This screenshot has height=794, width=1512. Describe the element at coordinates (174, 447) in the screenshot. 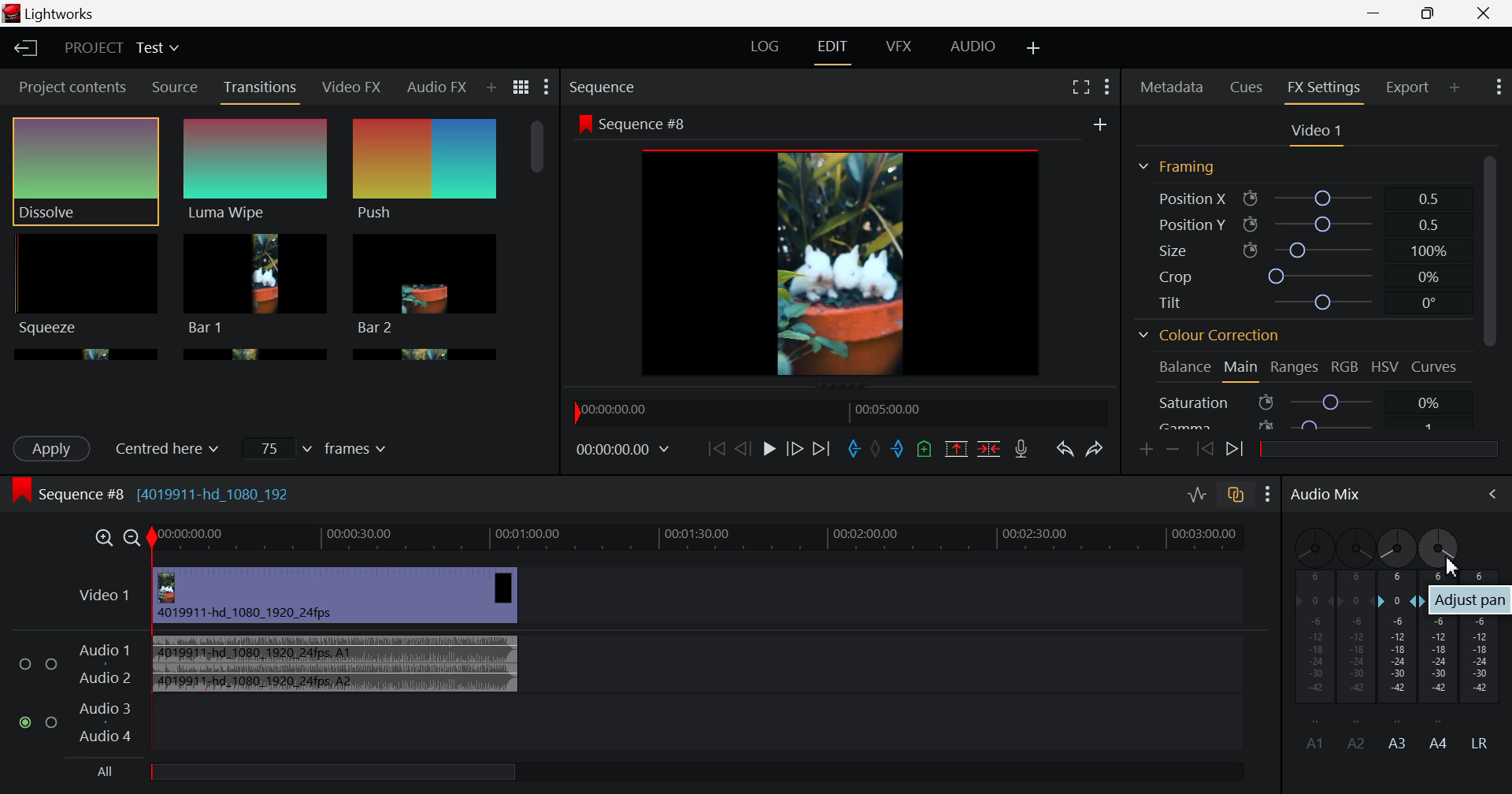

I see `Centered here` at that location.